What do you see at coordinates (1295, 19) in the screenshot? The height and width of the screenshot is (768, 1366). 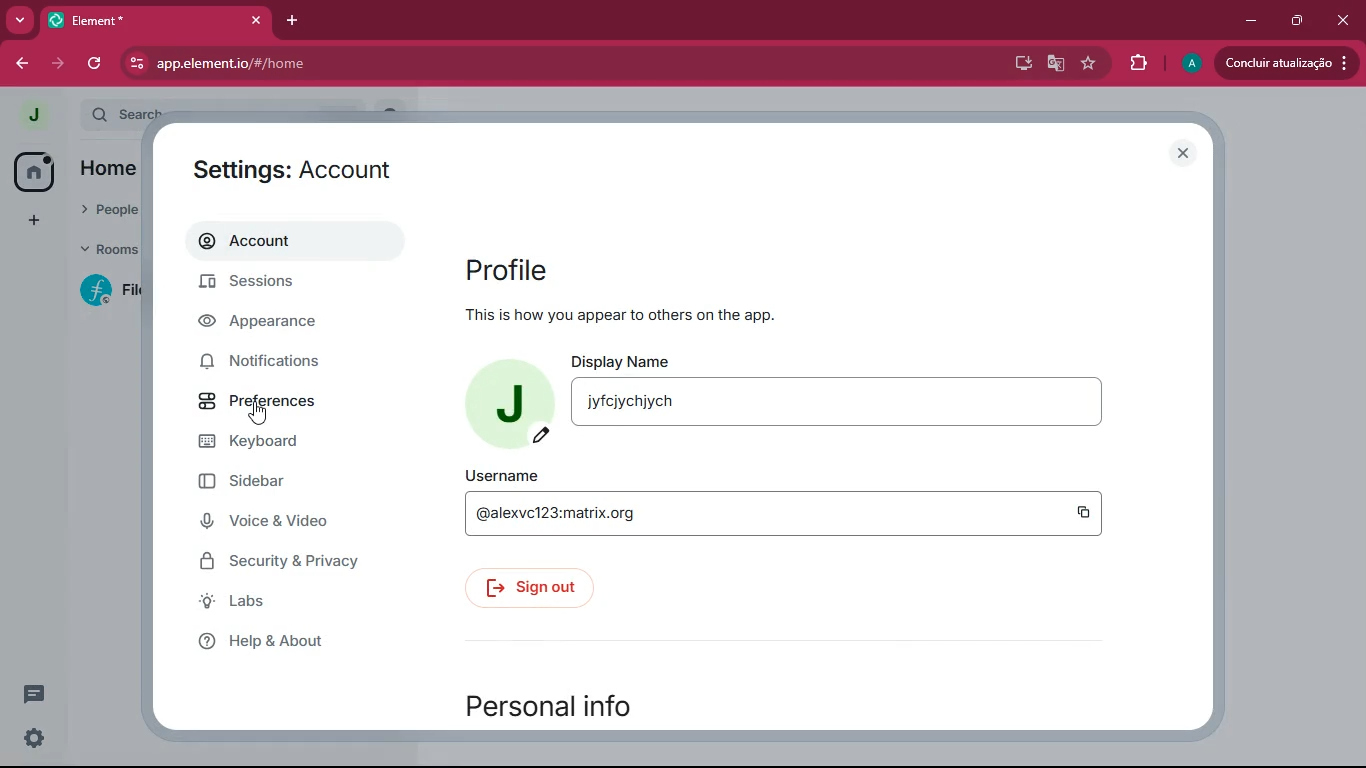 I see `maximize` at bounding box center [1295, 19].